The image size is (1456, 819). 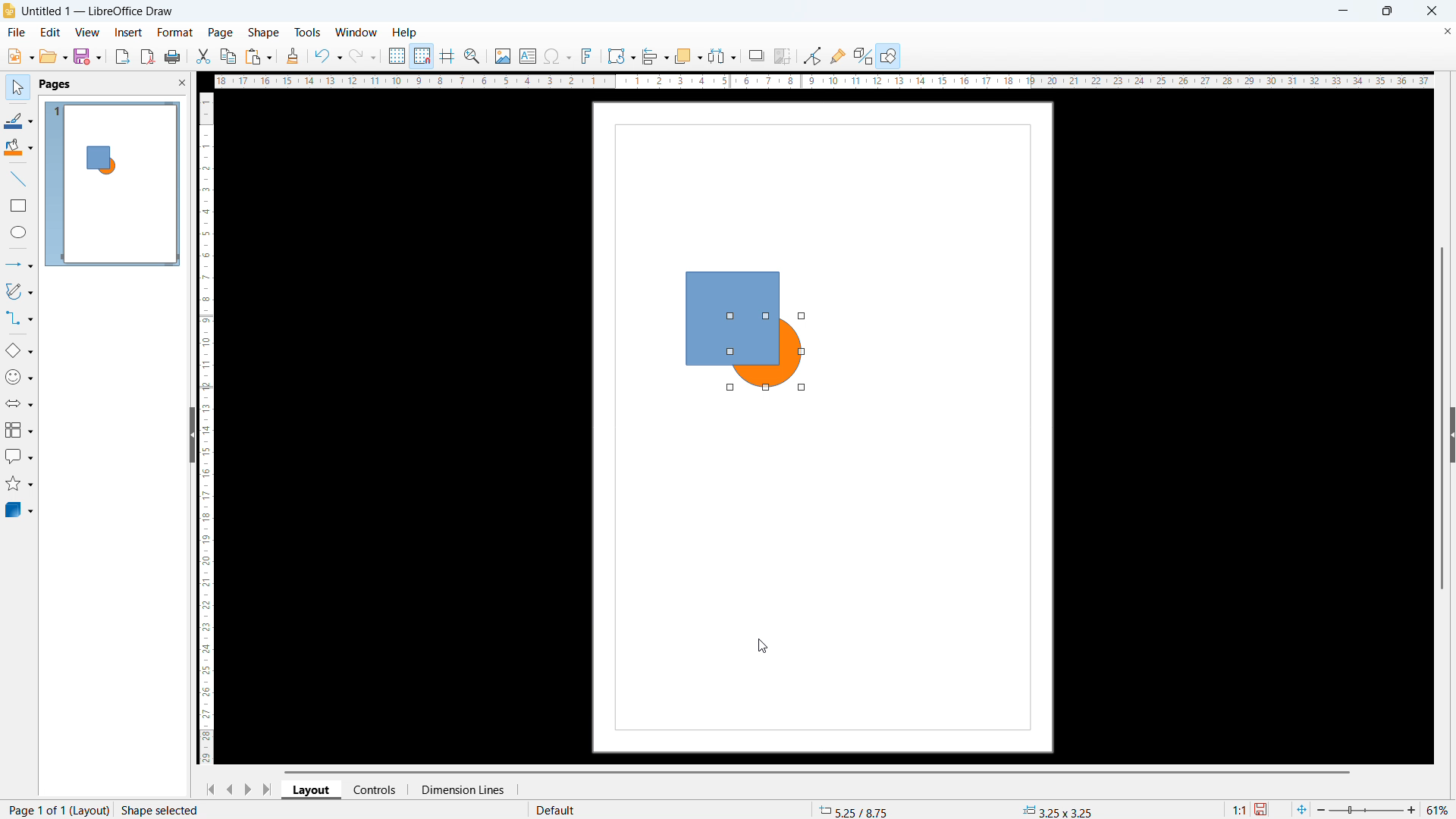 I want to click on insert symbol, so click(x=558, y=56).